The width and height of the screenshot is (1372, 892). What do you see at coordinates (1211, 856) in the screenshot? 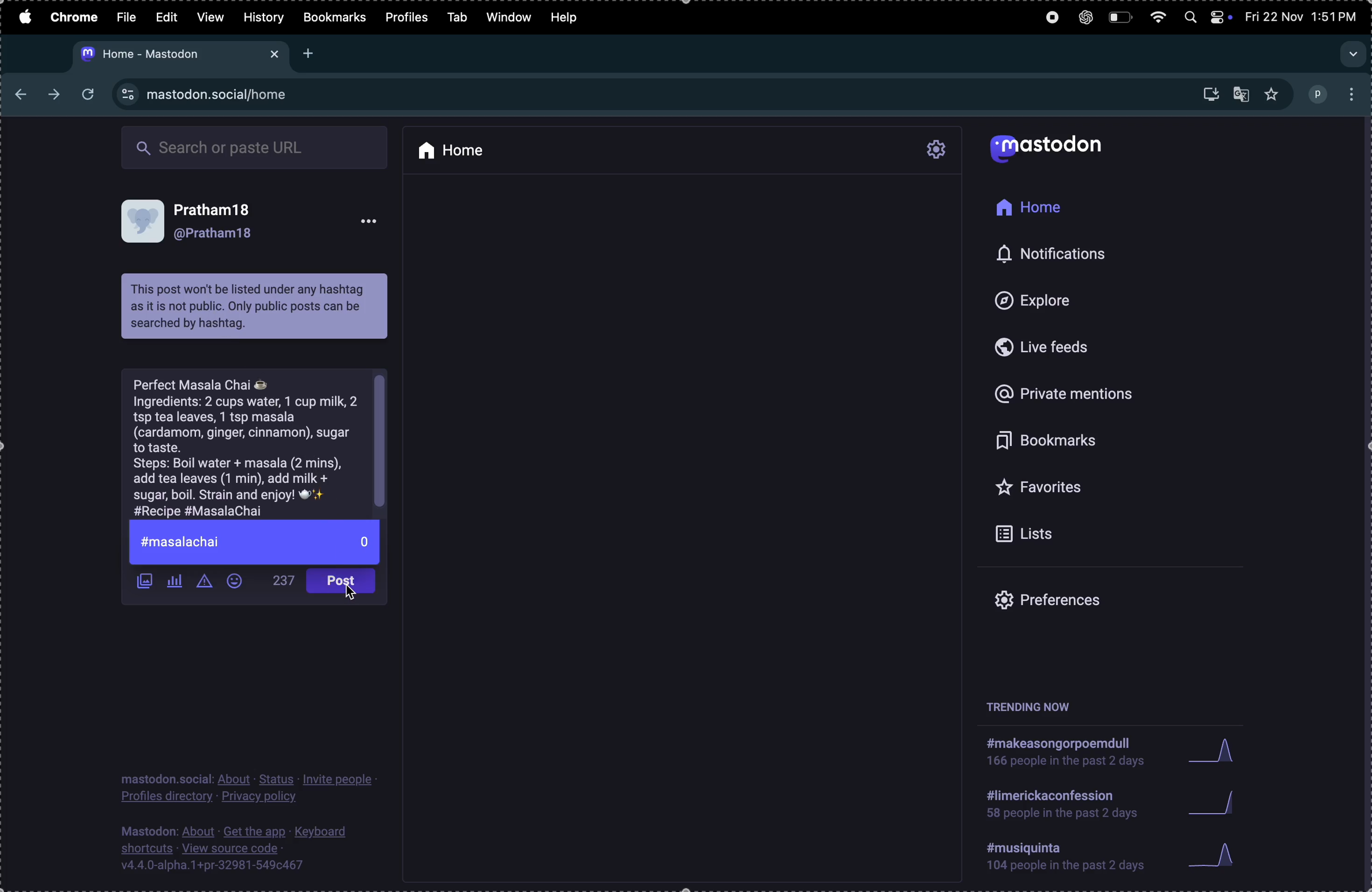
I see `graphs` at bounding box center [1211, 856].